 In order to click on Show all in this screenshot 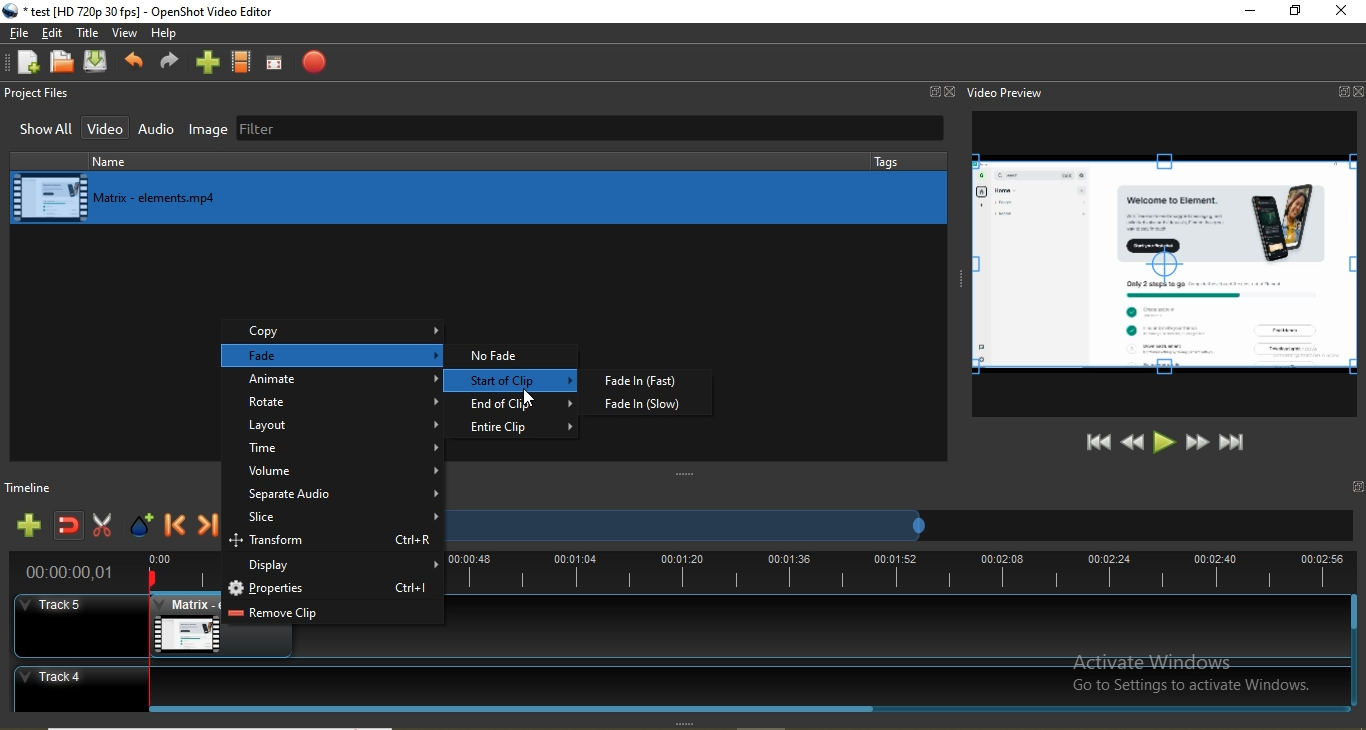, I will do `click(41, 132)`.